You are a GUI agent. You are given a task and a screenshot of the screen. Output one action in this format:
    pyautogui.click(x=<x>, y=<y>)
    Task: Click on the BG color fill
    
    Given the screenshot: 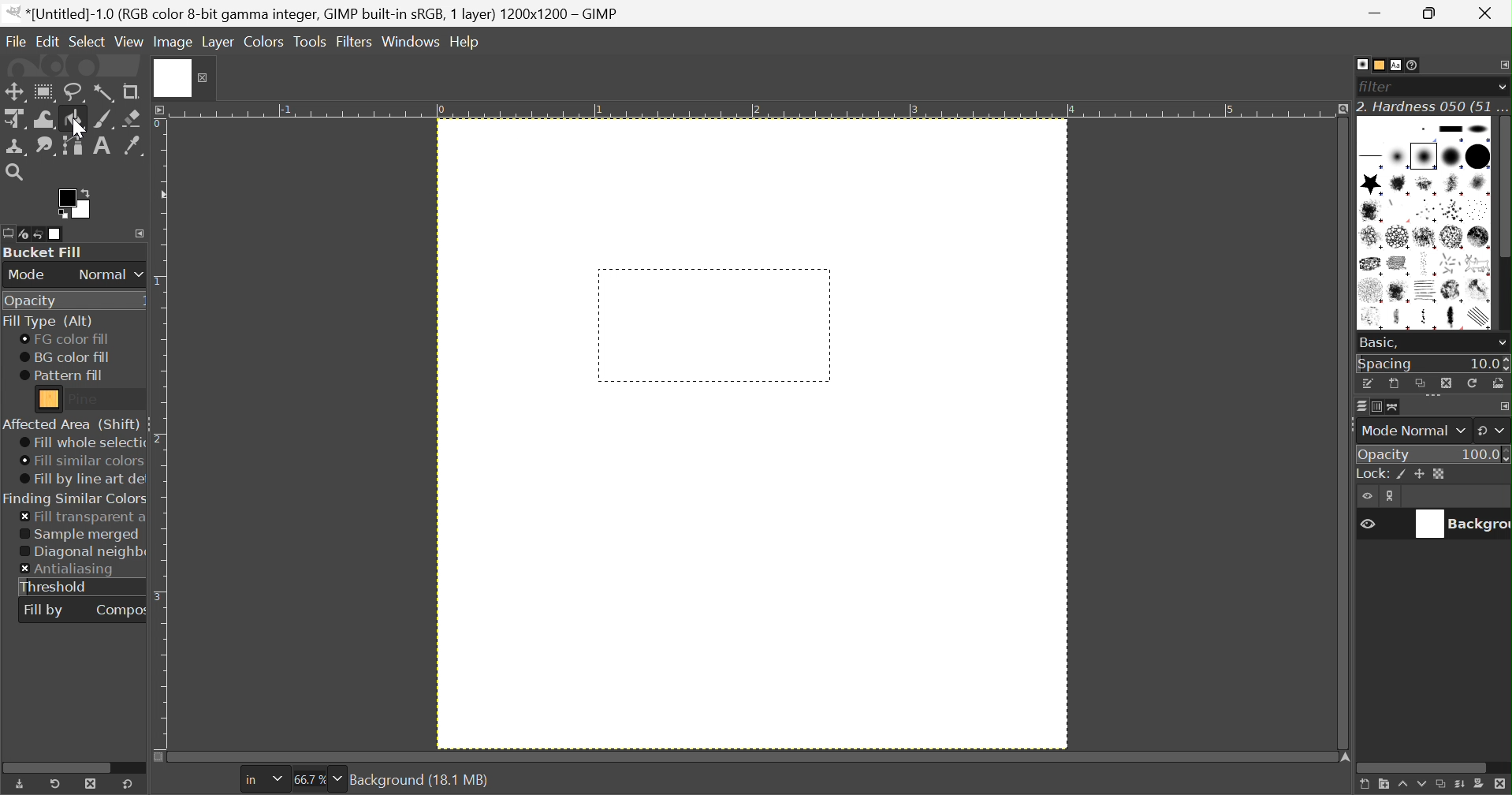 What is the action you would take?
    pyautogui.click(x=65, y=357)
    